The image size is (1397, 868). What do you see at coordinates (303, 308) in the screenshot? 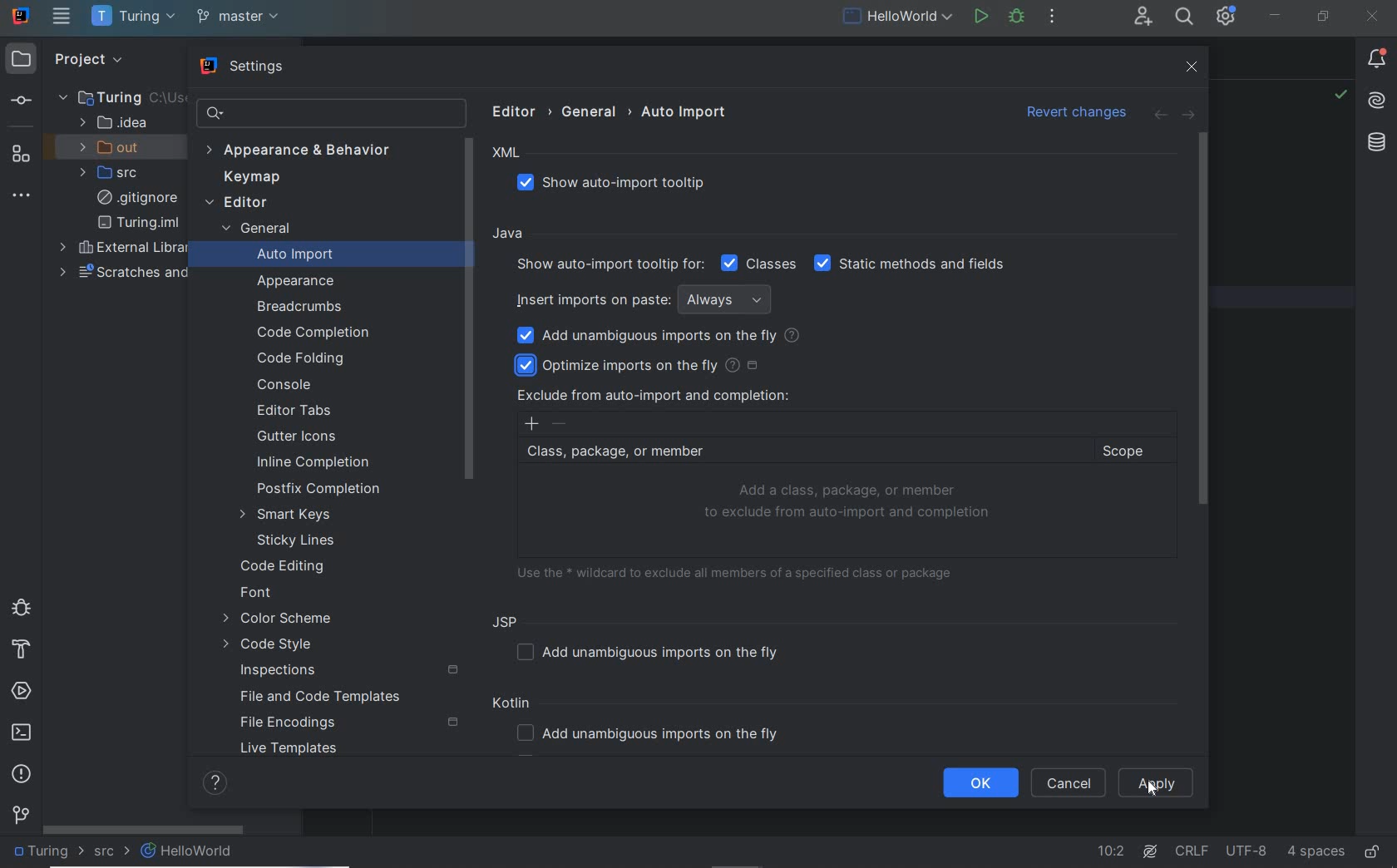
I see `BREADCRUMBS` at bounding box center [303, 308].